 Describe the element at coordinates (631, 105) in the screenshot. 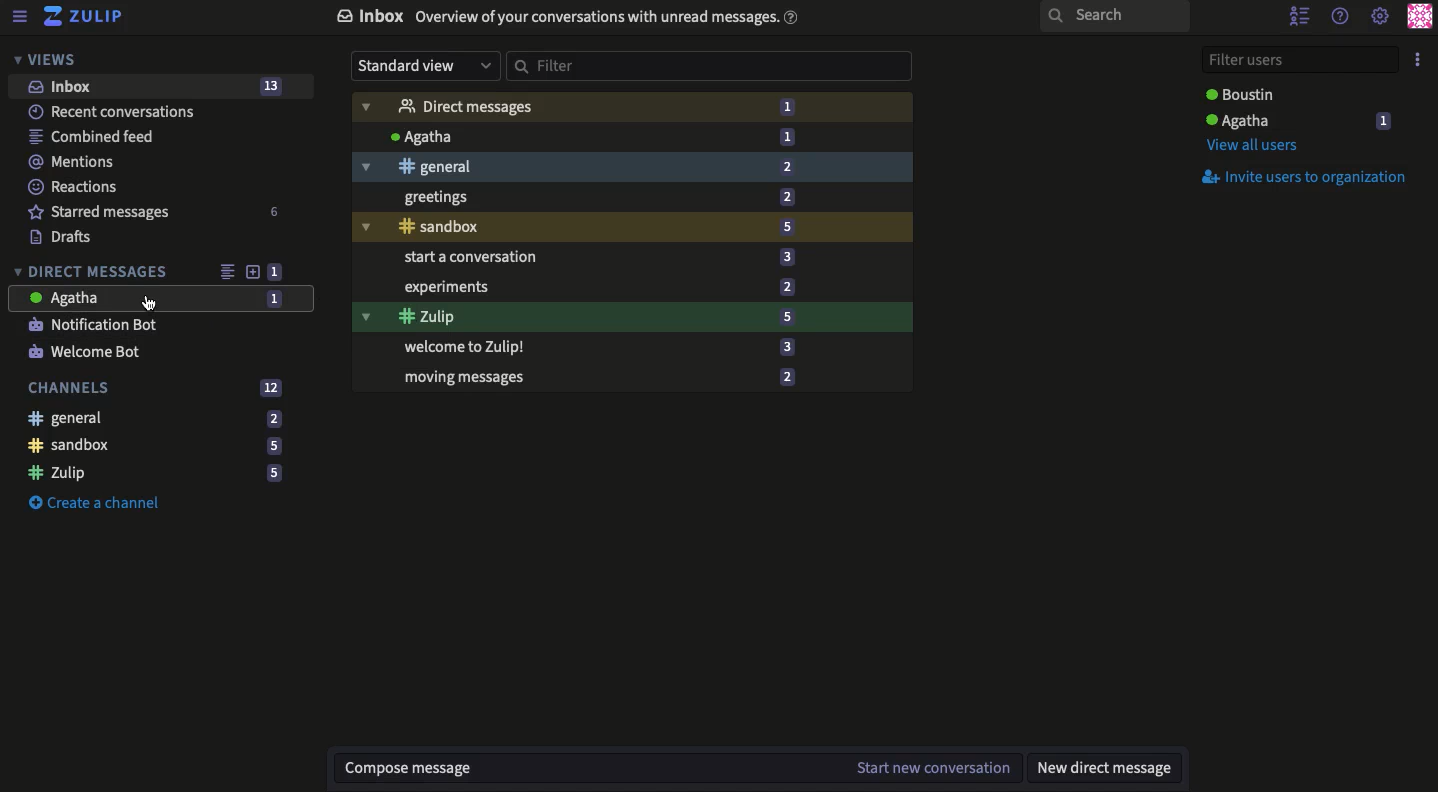

I see `Direct messages` at that location.